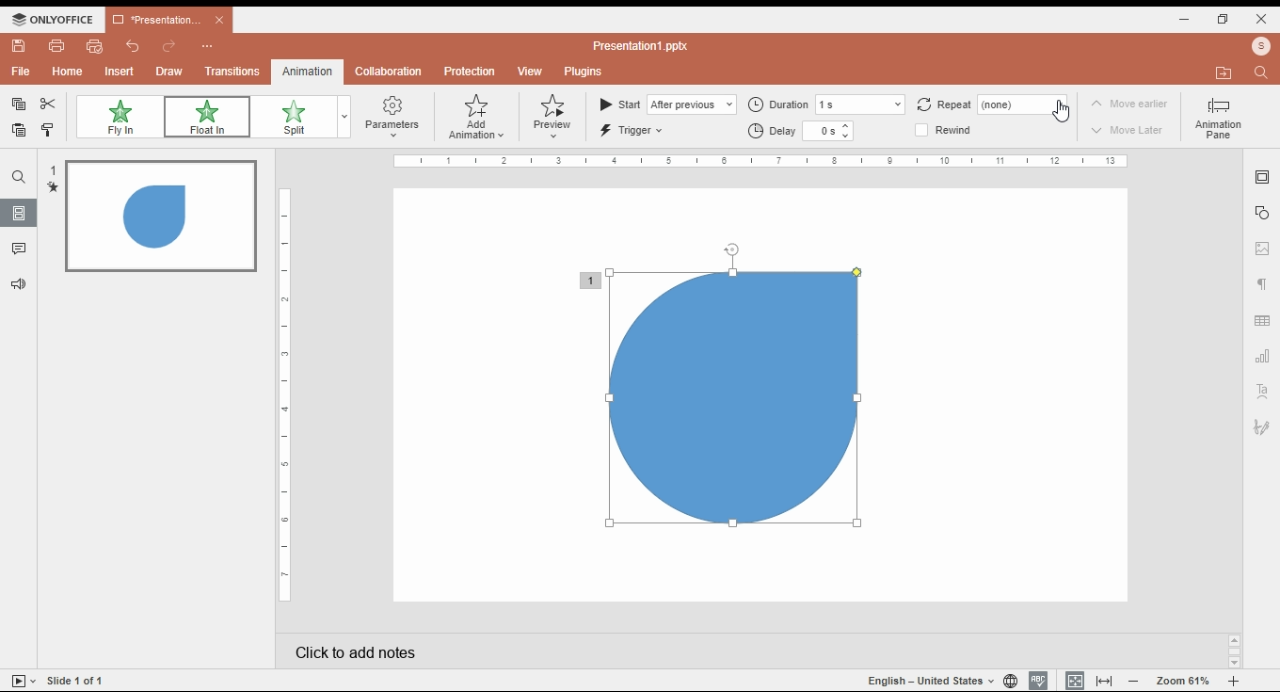  What do you see at coordinates (151, 217) in the screenshot?
I see `slide 1` at bounding box center [151, 217].